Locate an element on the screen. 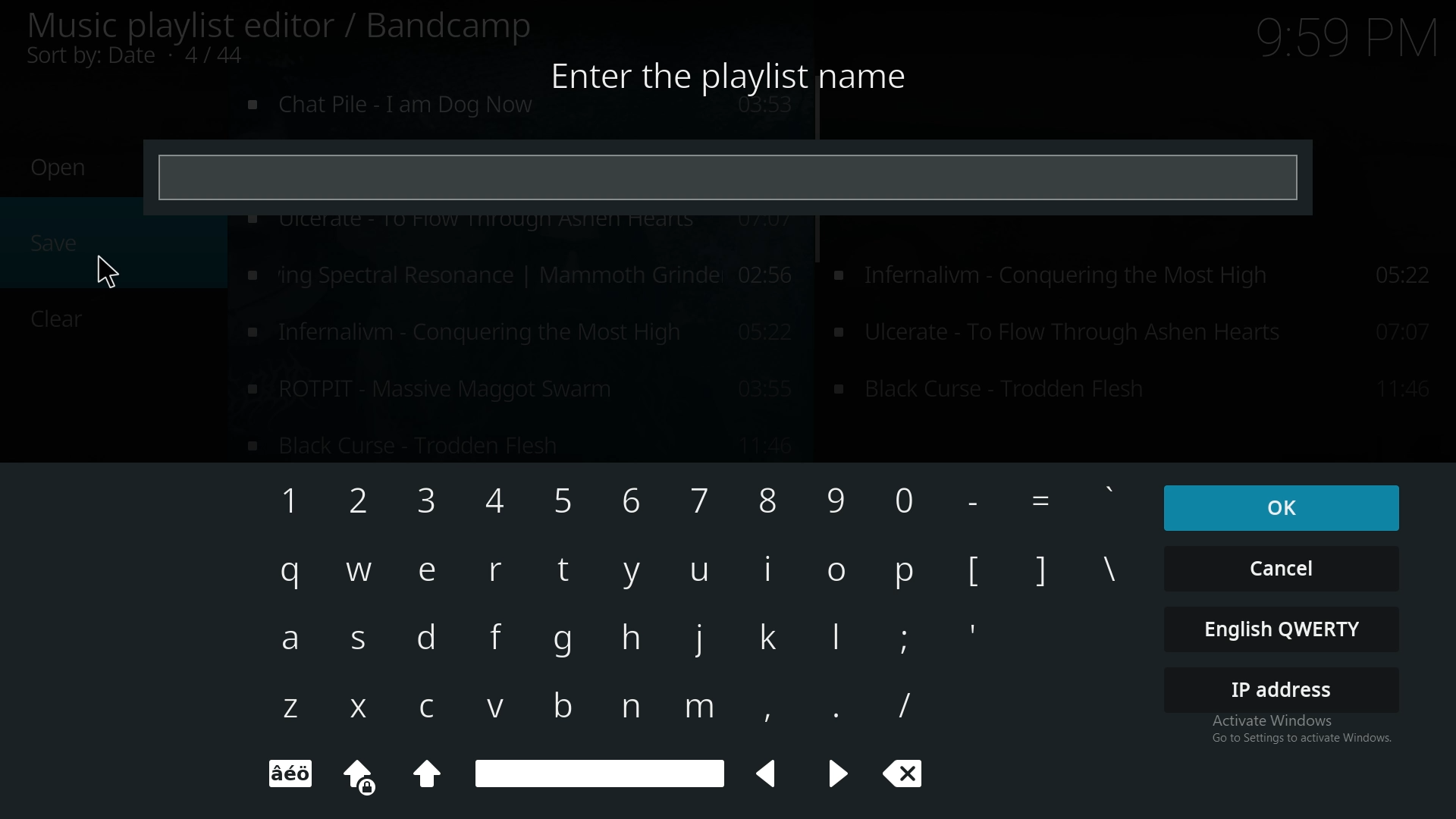  keyboard input is located at coordinates (557, 705).